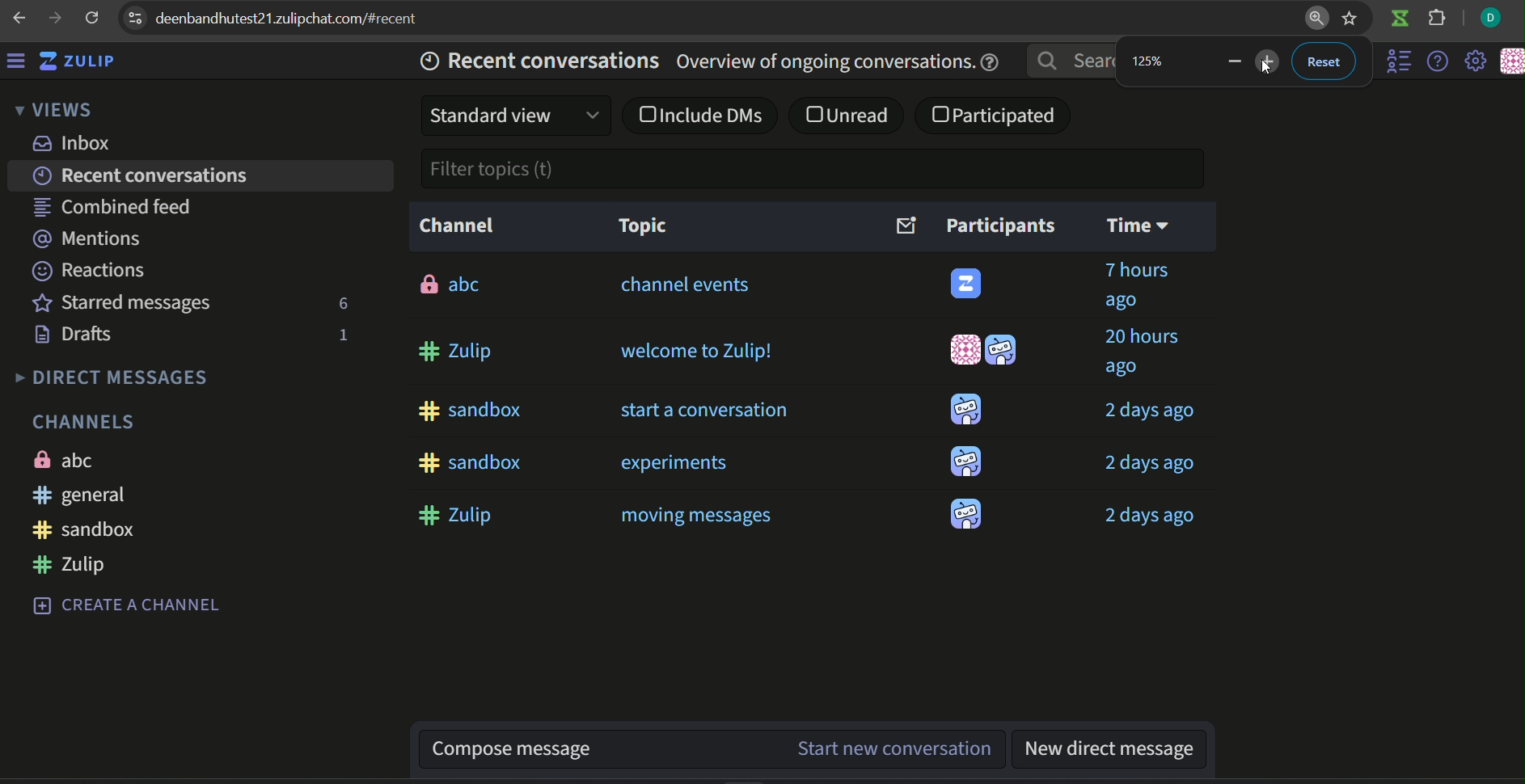 This screenshot has width=1525, height=784. What do you see at coordinates (122, 301) in the screenshot?
I see `starred messages` at bounding box center [122, 301].